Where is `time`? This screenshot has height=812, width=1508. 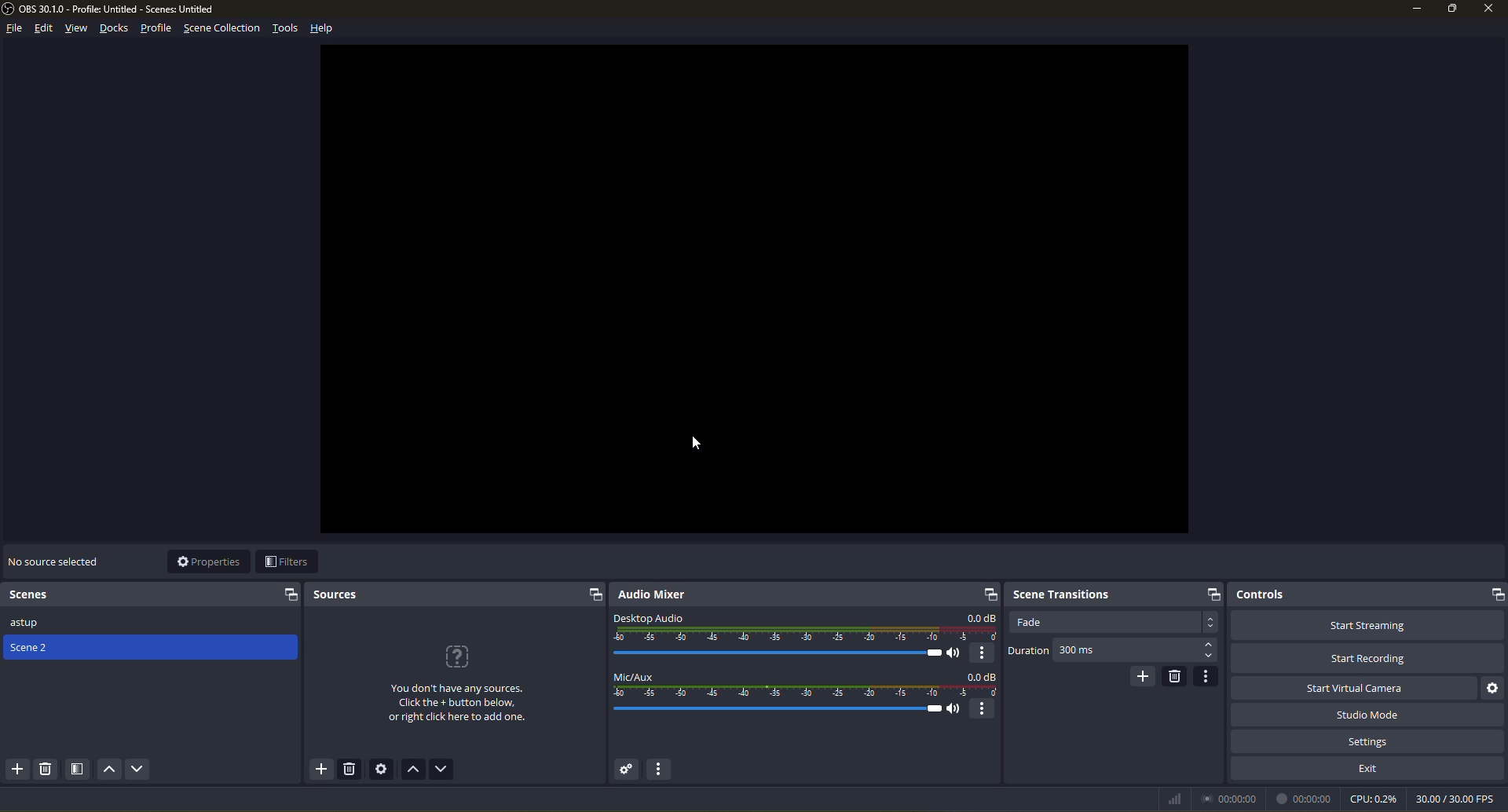 time is located at coordinates (1228, 798).